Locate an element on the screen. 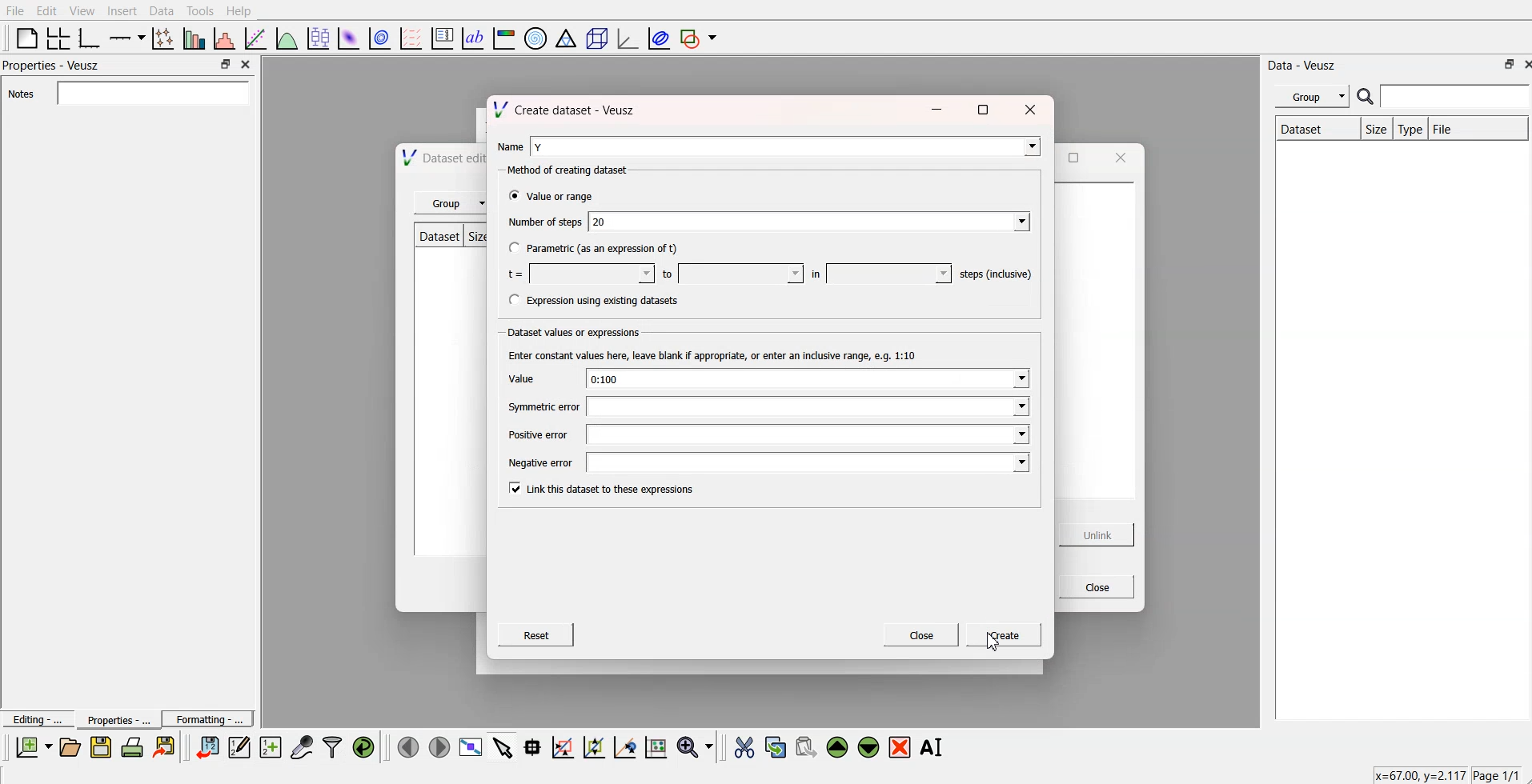  File is located at coordinates (1478, 128).